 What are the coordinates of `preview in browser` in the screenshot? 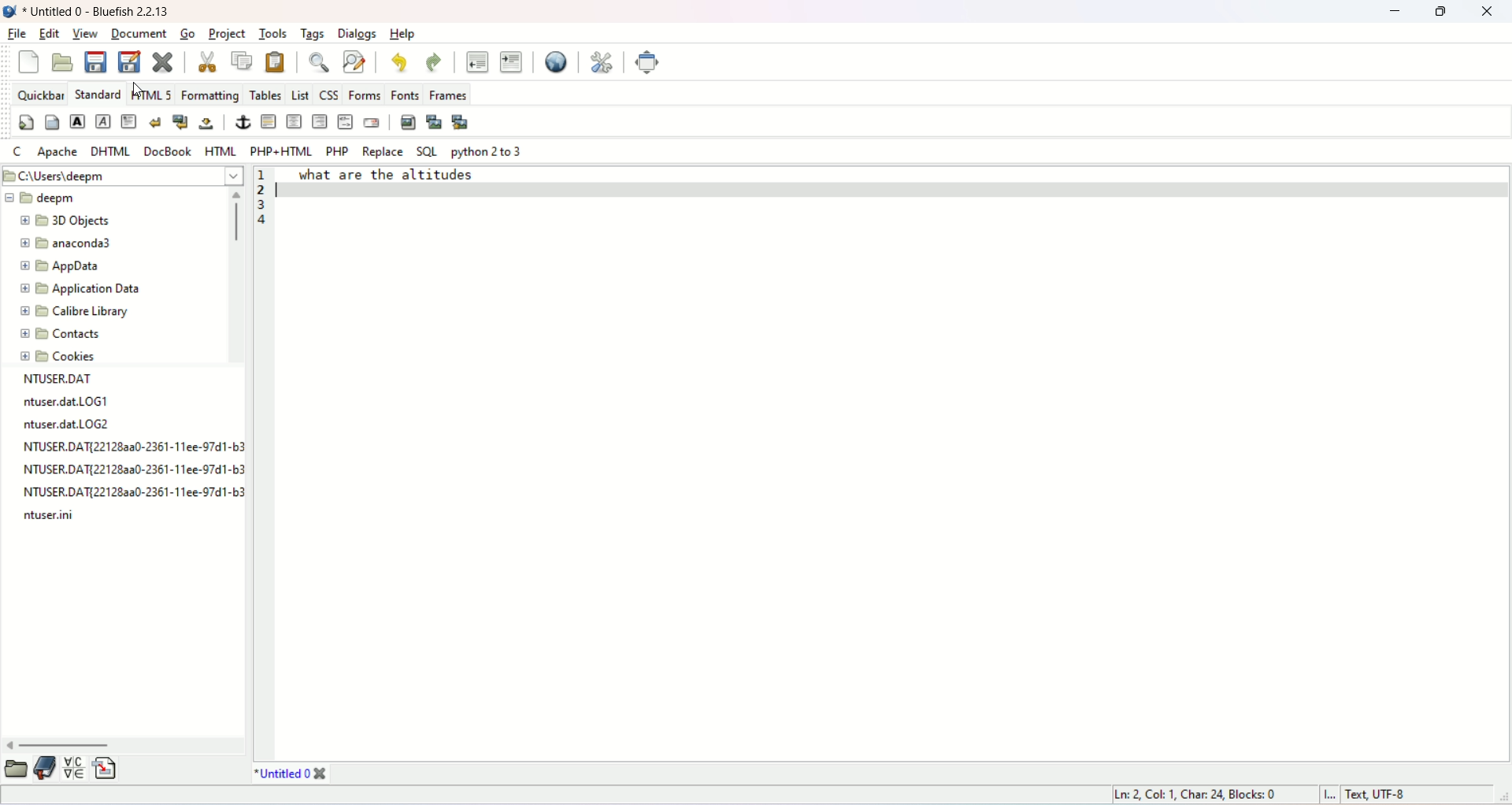 It's located at (556, 62).